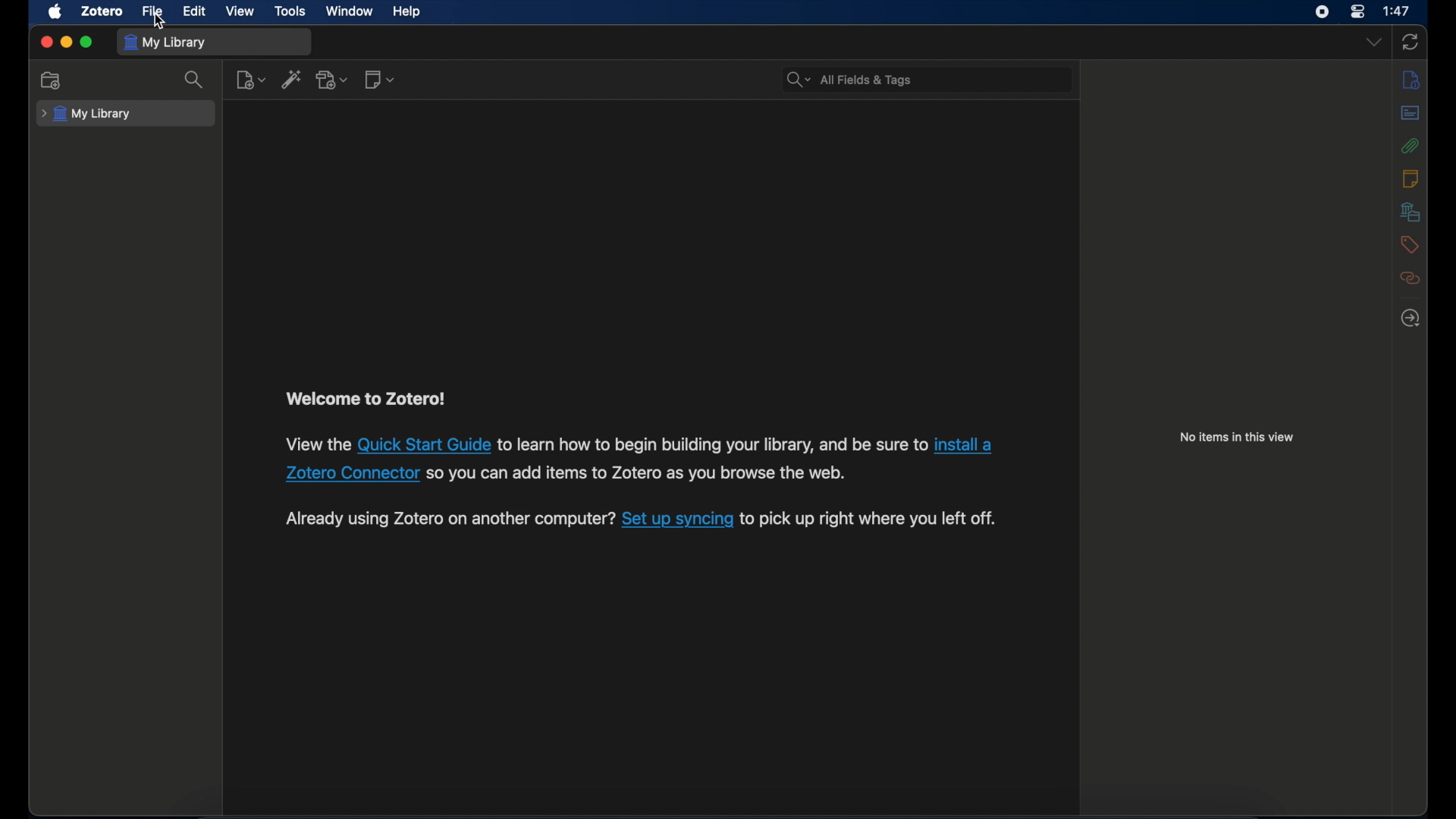 This screenshot has width=1456, height=819. Describe the element at coordinates (1398, 10) in the screenshot. I see `1:47` at that location.